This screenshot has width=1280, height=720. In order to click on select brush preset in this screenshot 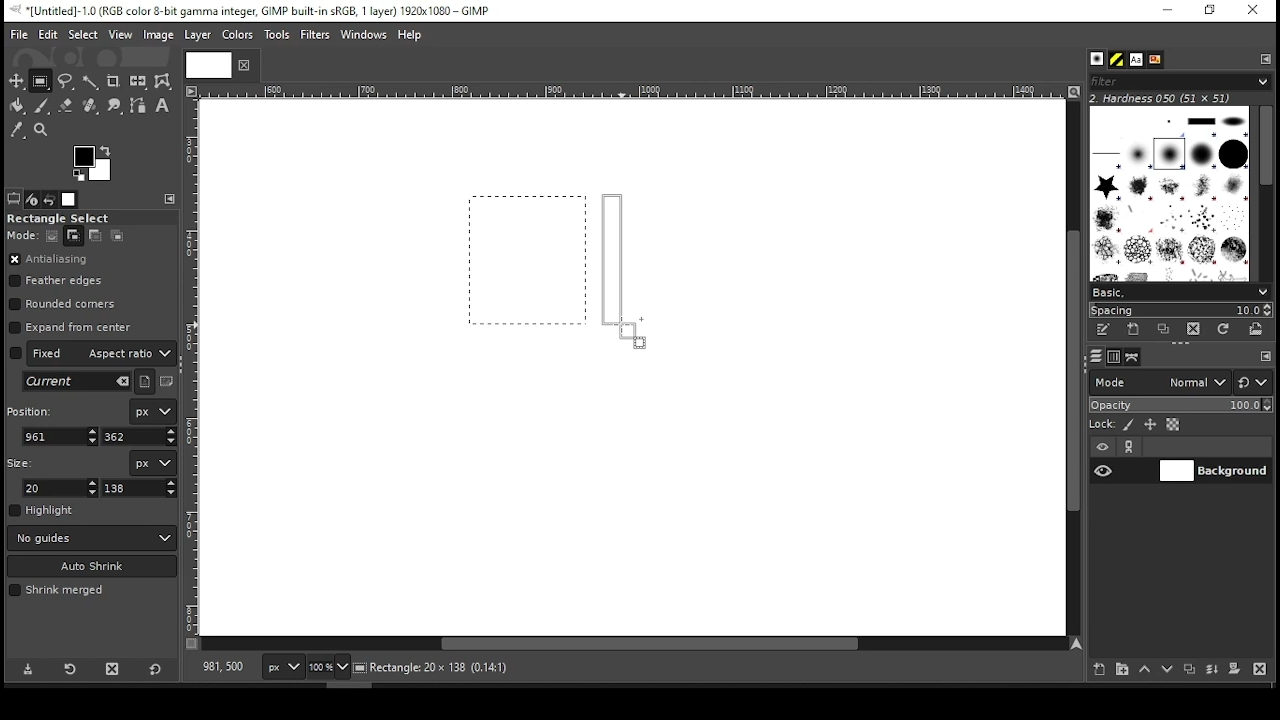, I will do `click(1182, 291)`.